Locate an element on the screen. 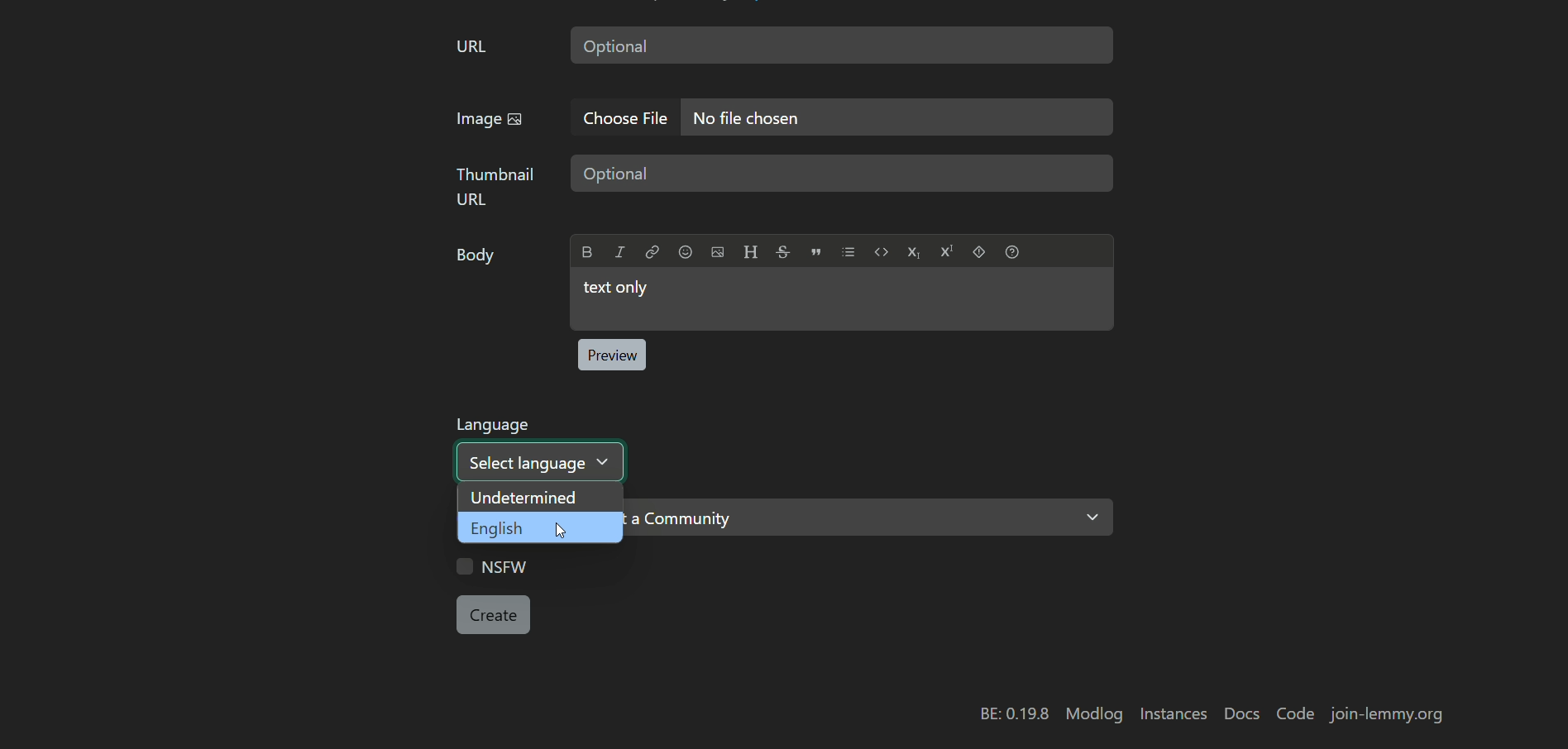 Image resolution: width=1568 pixels, height=749 pixels. List is located at coordinates (849, 251).